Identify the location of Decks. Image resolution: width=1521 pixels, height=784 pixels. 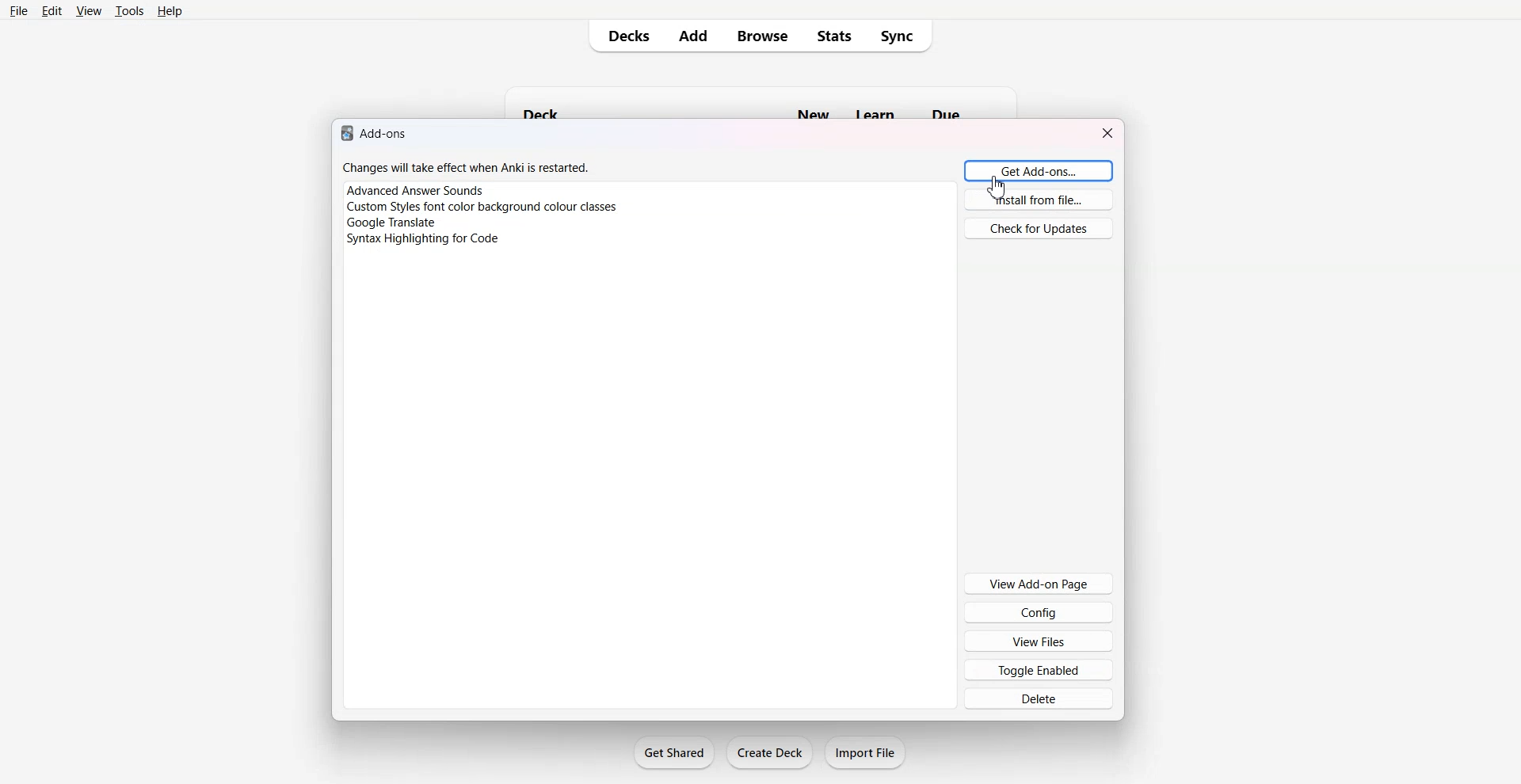
(623, 36).